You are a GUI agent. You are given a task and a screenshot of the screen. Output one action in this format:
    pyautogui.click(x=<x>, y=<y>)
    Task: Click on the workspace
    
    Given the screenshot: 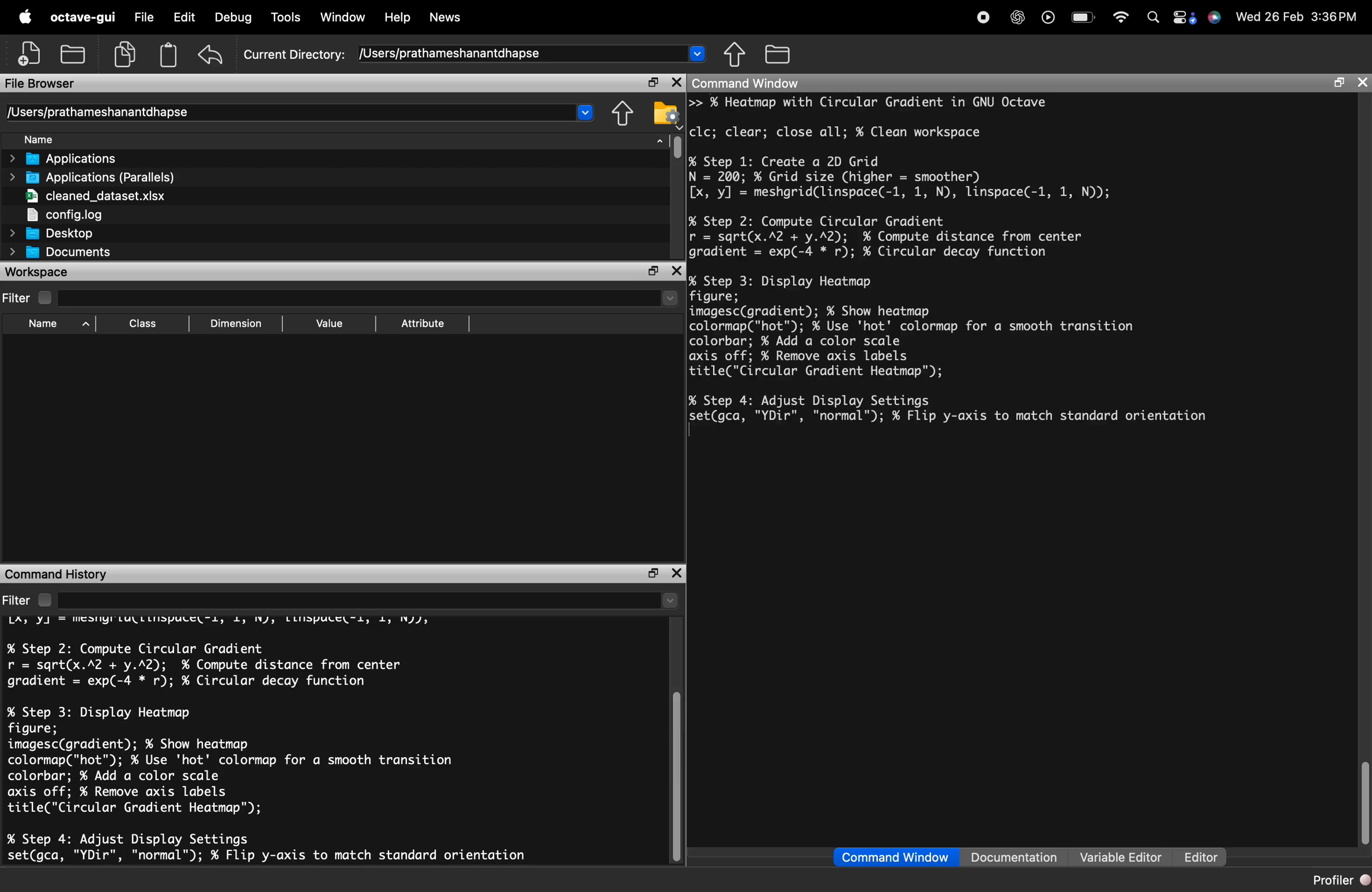 What is the action you would take?
    pyautogui.click(x=311, y=271)
    